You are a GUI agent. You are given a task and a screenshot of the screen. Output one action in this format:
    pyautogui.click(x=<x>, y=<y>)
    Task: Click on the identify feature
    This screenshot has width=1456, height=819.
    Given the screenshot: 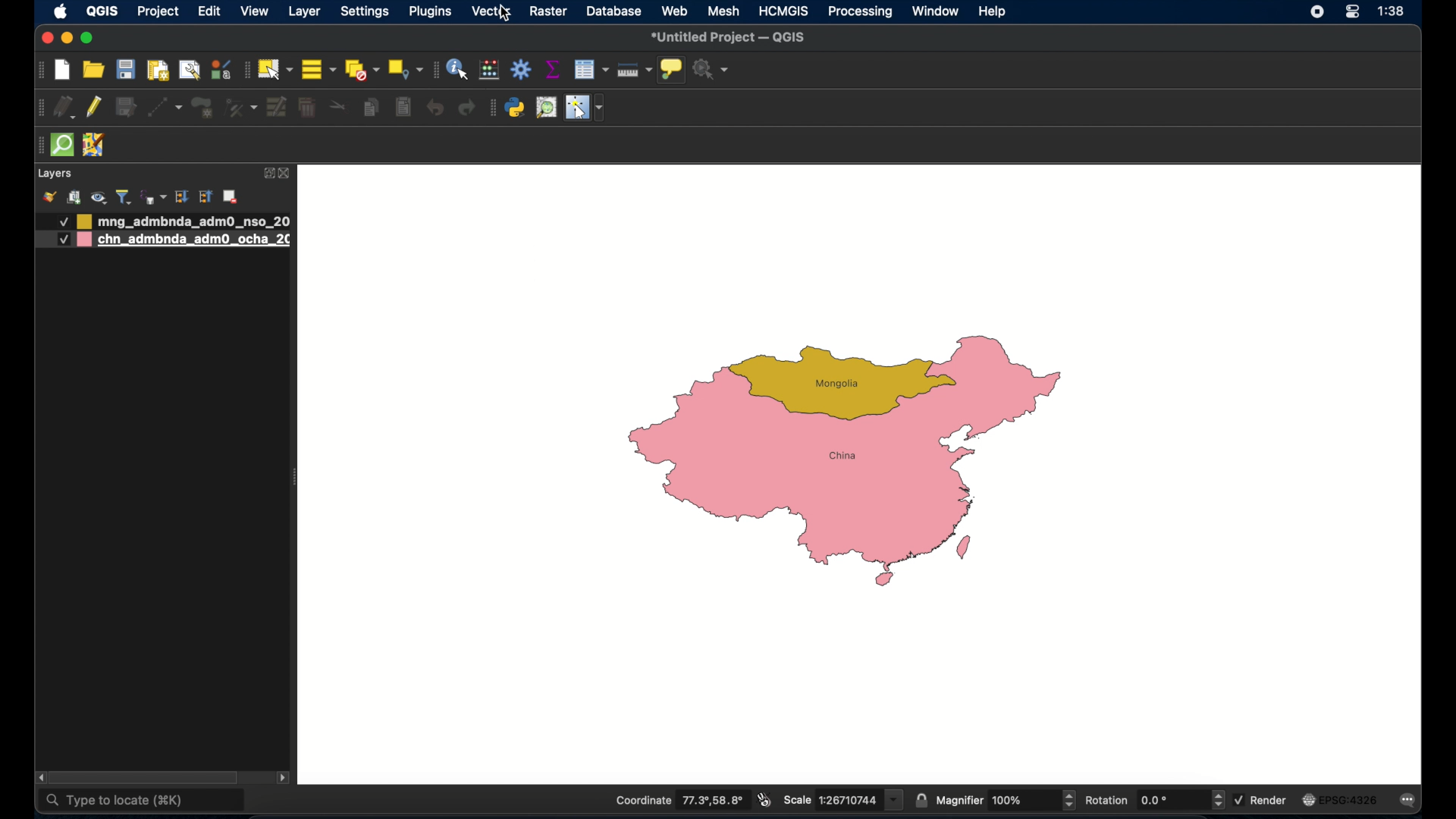 What is the action you would take?
    pyautogui.click(x=457, y=69)
    